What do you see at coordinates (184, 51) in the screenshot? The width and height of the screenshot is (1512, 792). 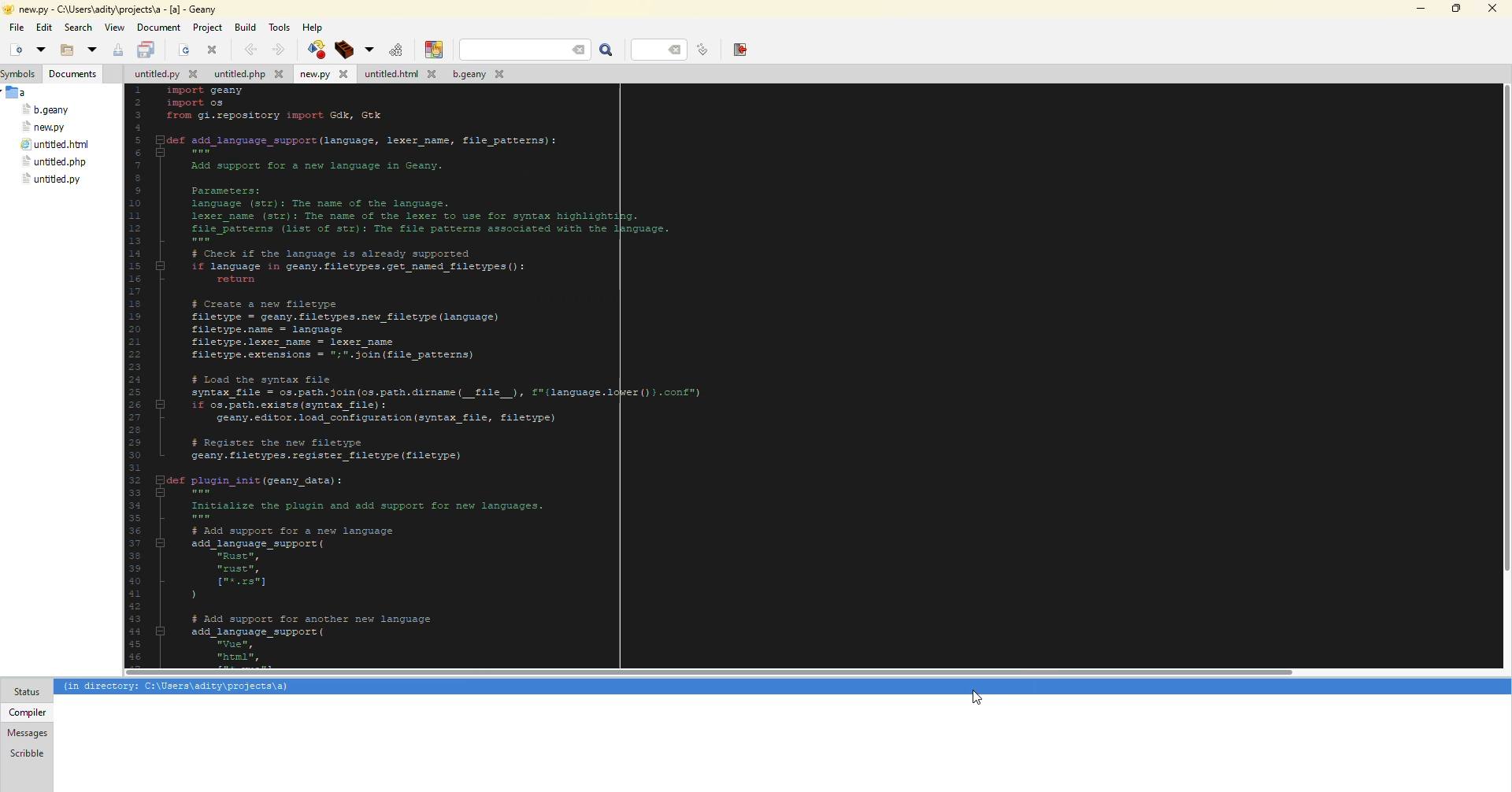 I see `open` at bounding box center [184, 51].